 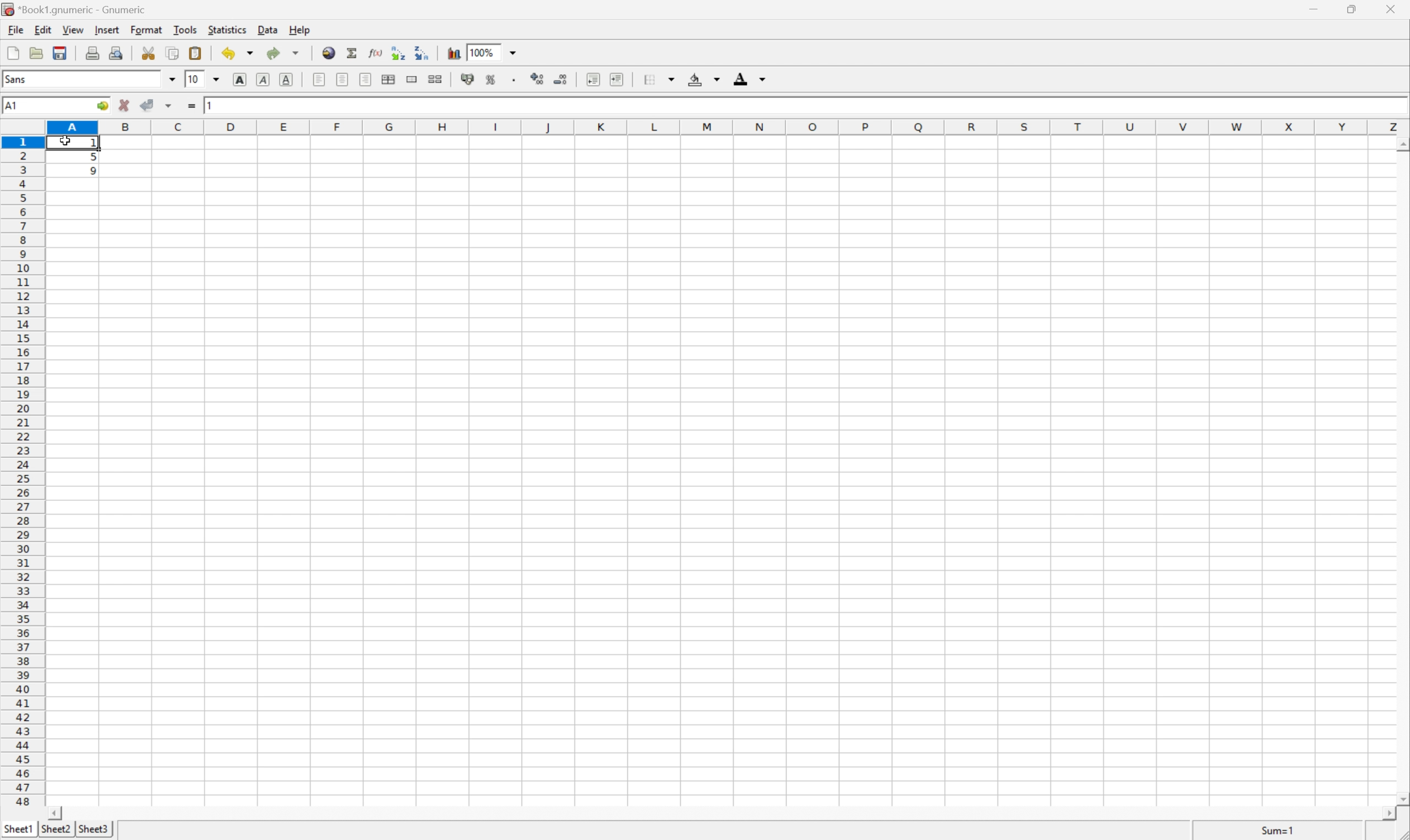 I want to click on scroll right, so click(x=1388, y=814).